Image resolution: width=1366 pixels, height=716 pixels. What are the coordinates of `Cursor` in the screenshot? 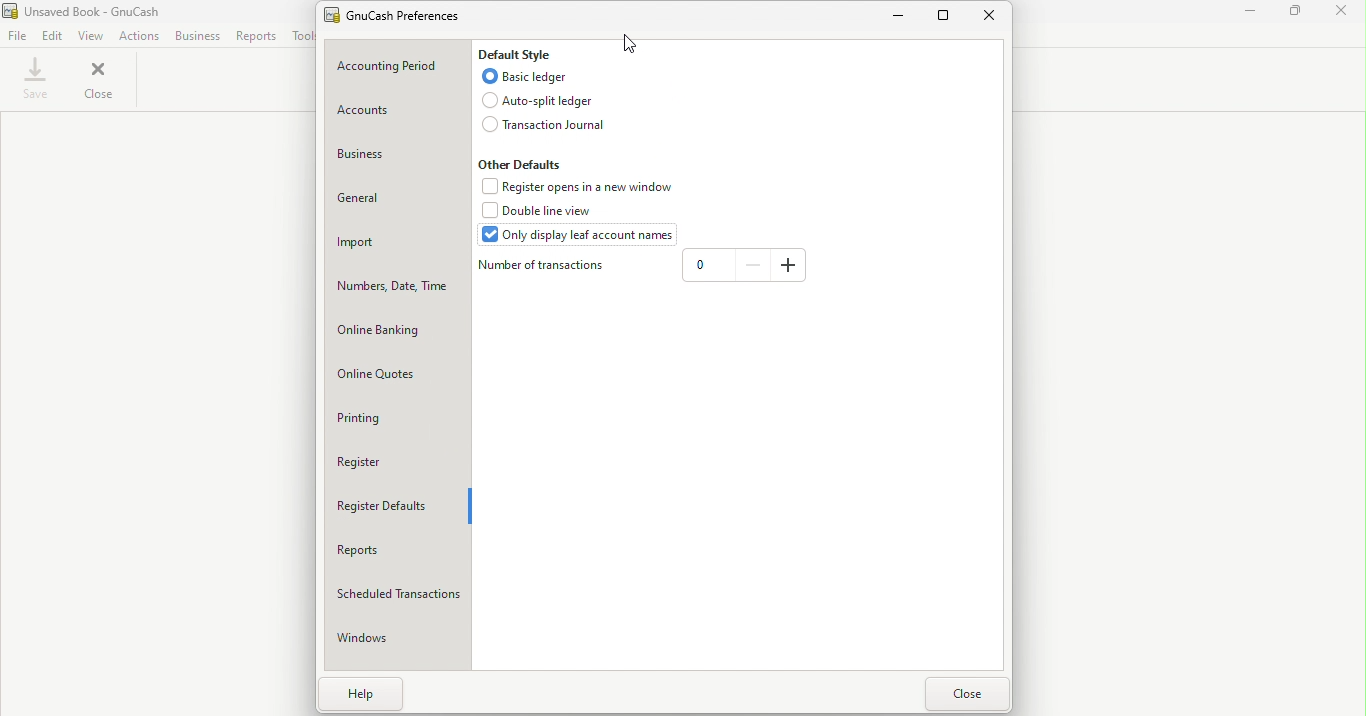 It's located at (633, 44).